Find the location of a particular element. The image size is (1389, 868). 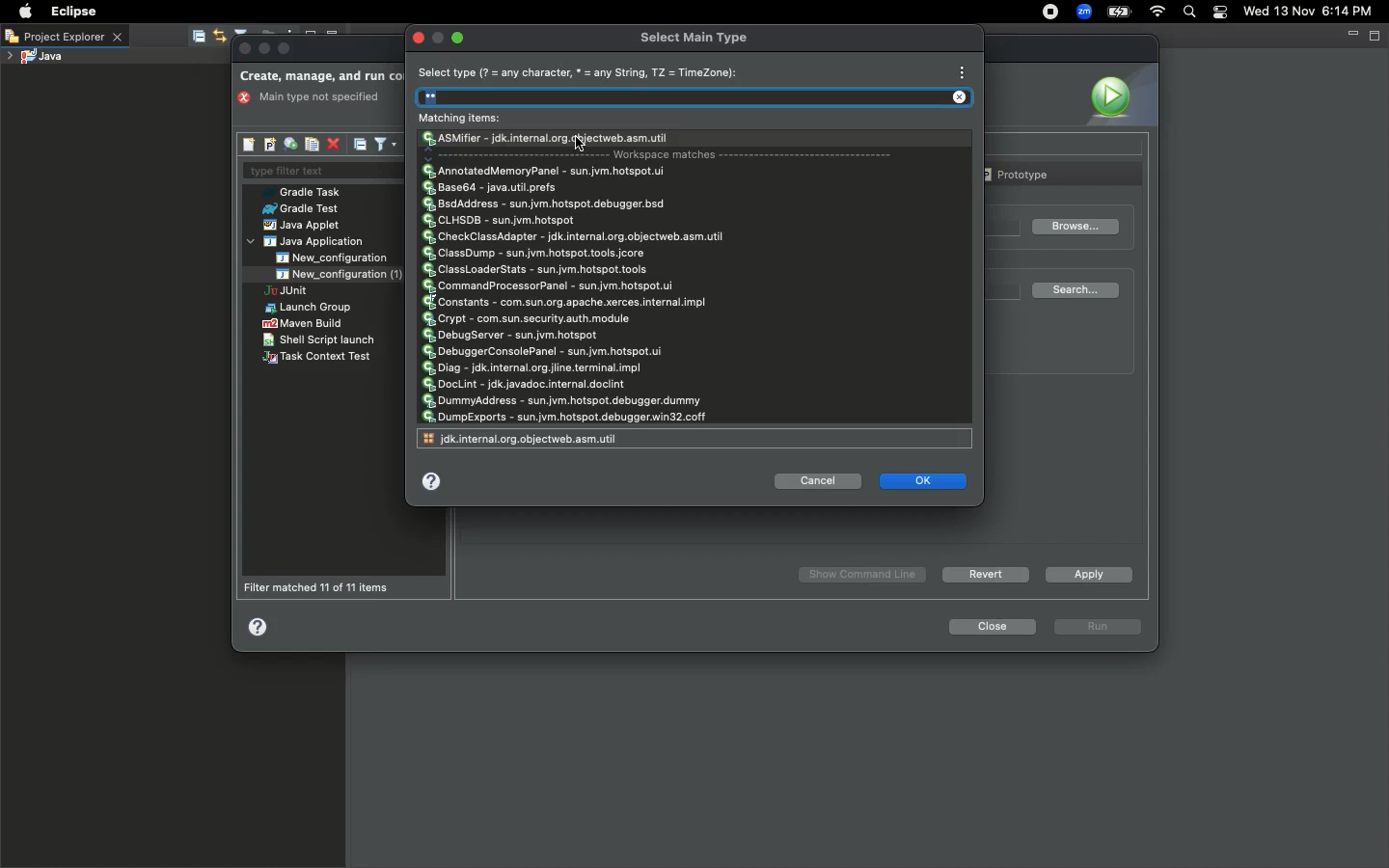

Ok is located at coordinates (924, 480).